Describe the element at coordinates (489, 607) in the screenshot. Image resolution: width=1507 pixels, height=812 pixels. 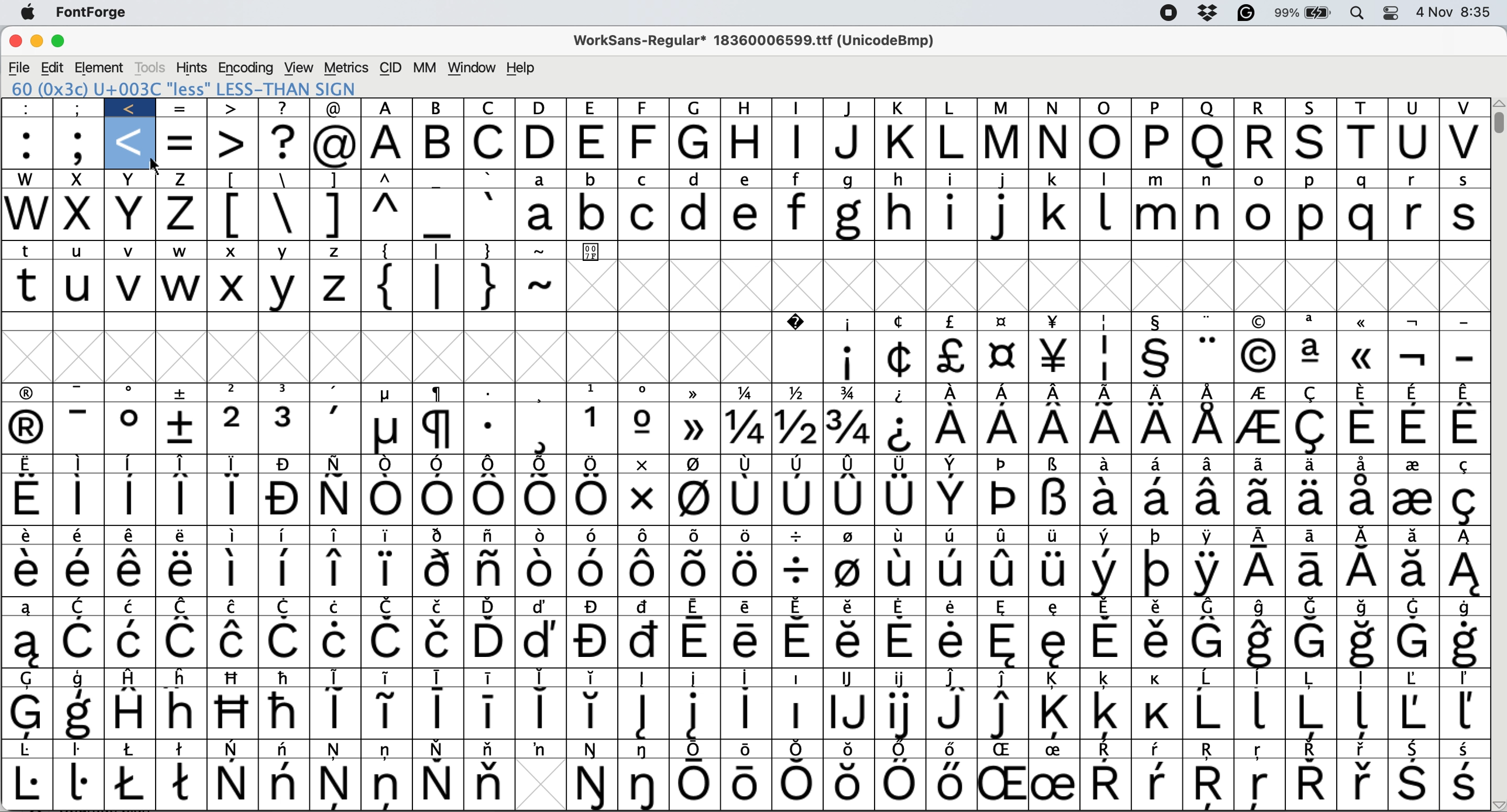
I see `Symbol` at that location.